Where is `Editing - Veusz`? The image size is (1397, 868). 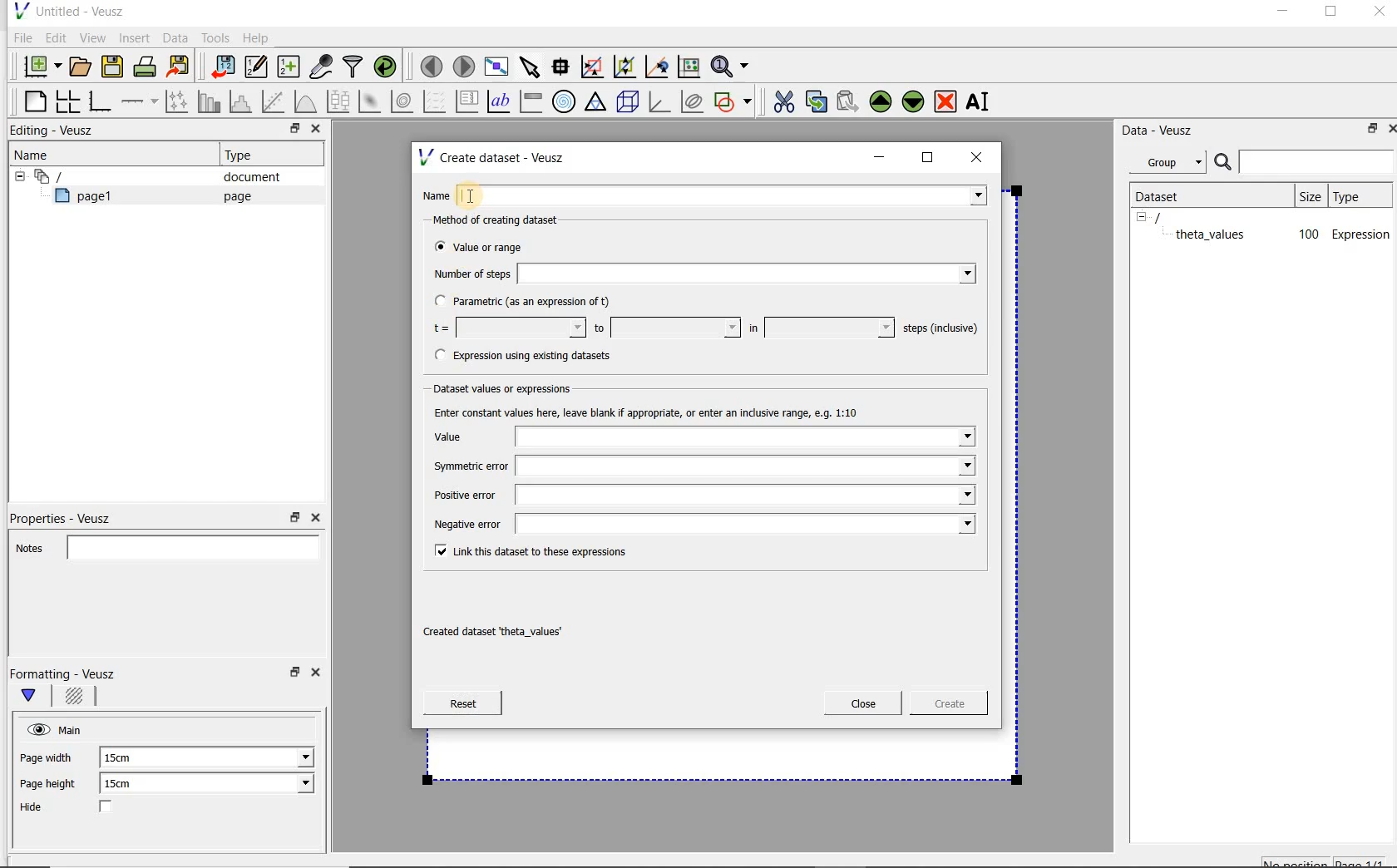
Editing - Veusz is located at coordinates (56, 131).